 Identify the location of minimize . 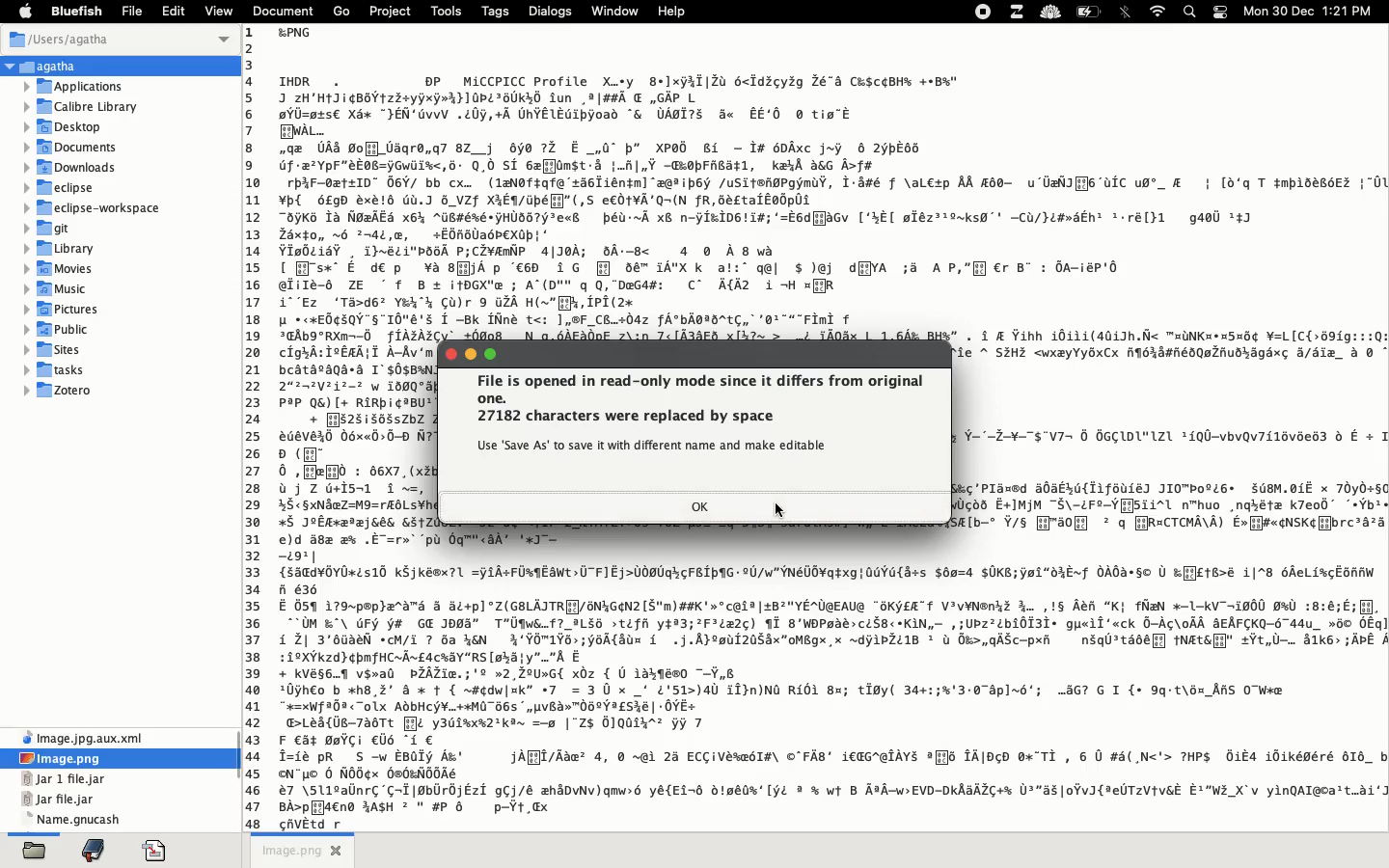
(471, 354).